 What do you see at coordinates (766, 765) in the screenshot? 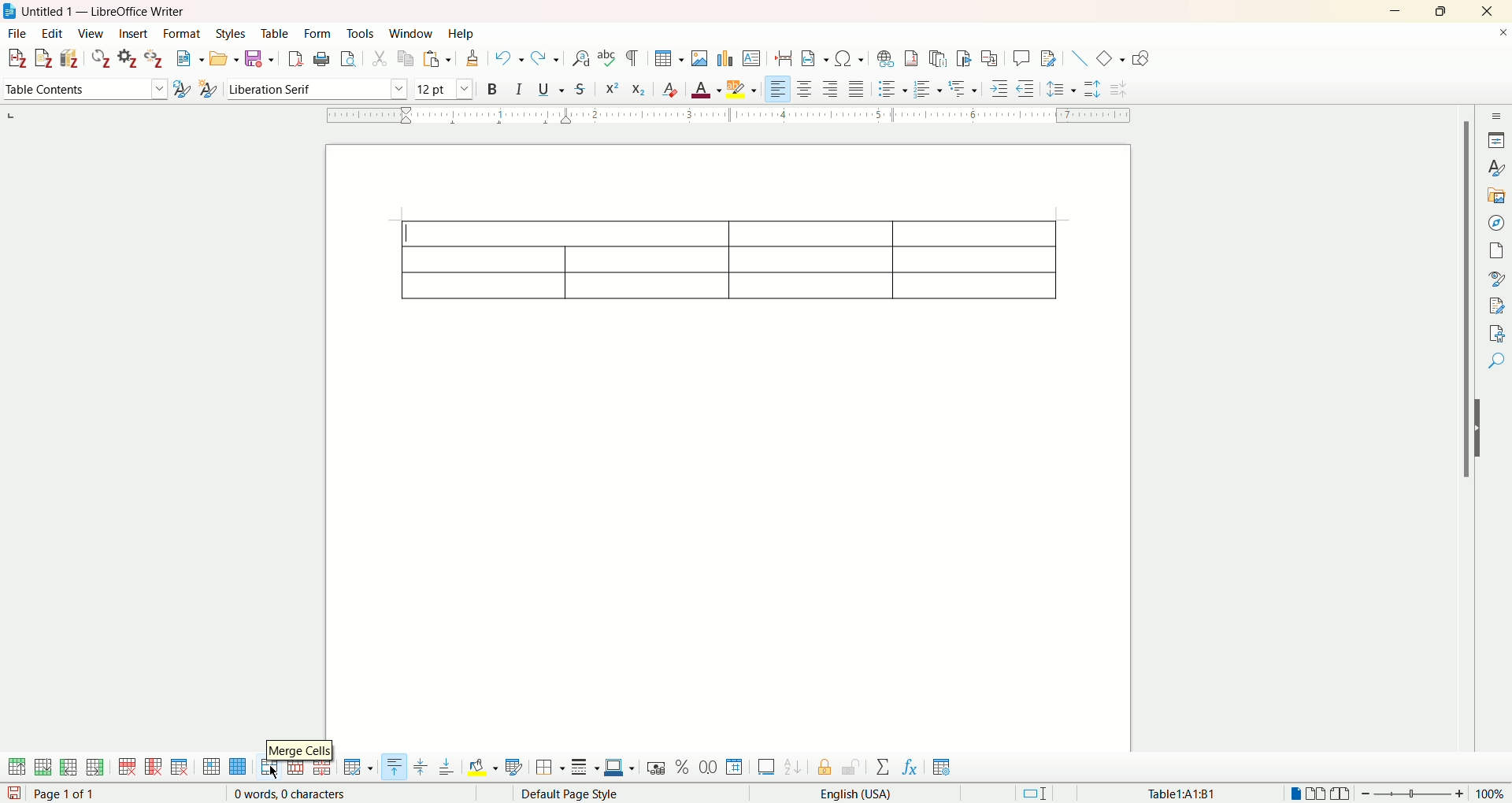
I see `insert caption` at bounding box center [766, 765].